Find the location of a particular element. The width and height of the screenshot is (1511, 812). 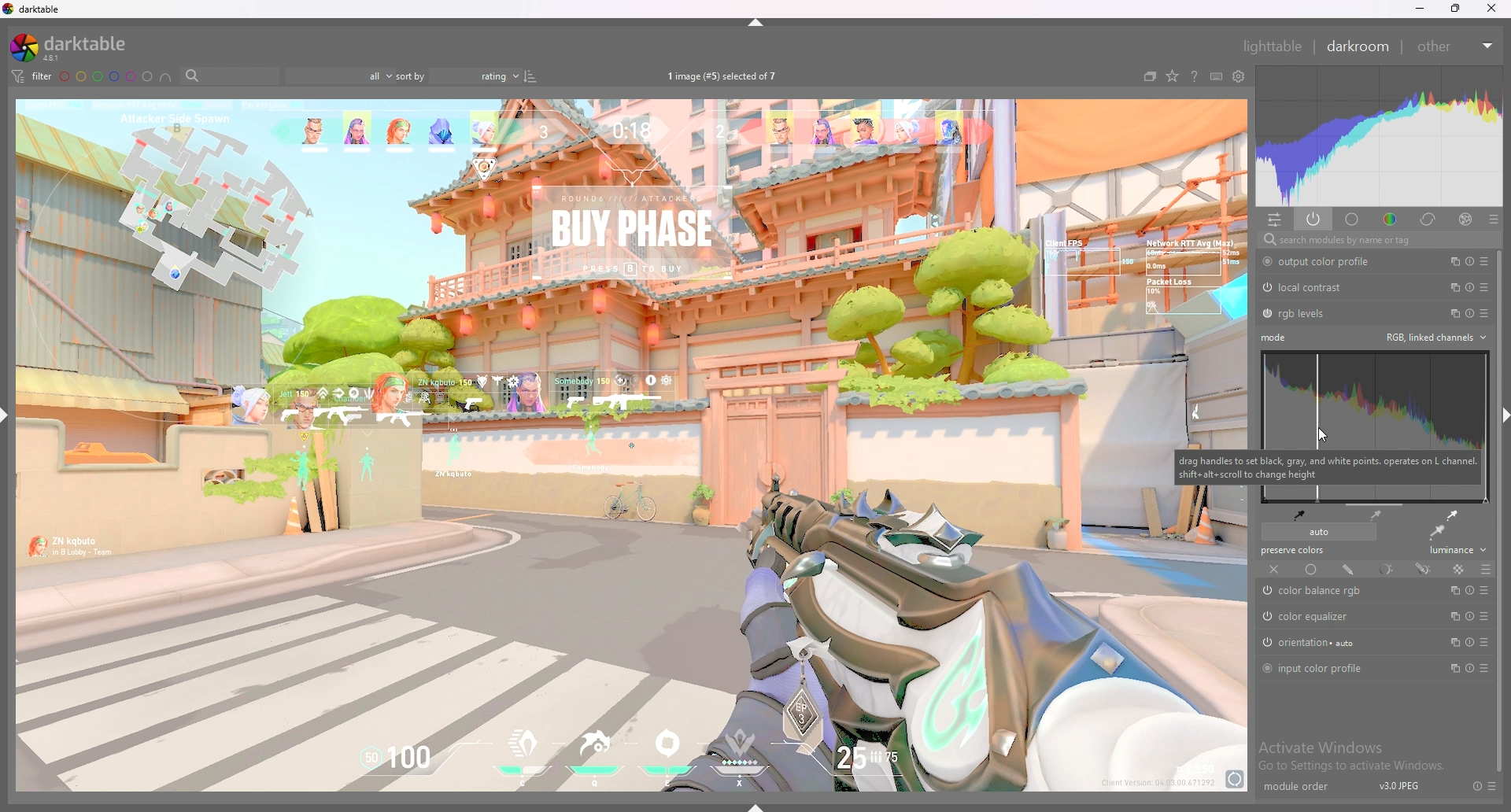

presets is located at coordinates (1484, 261).